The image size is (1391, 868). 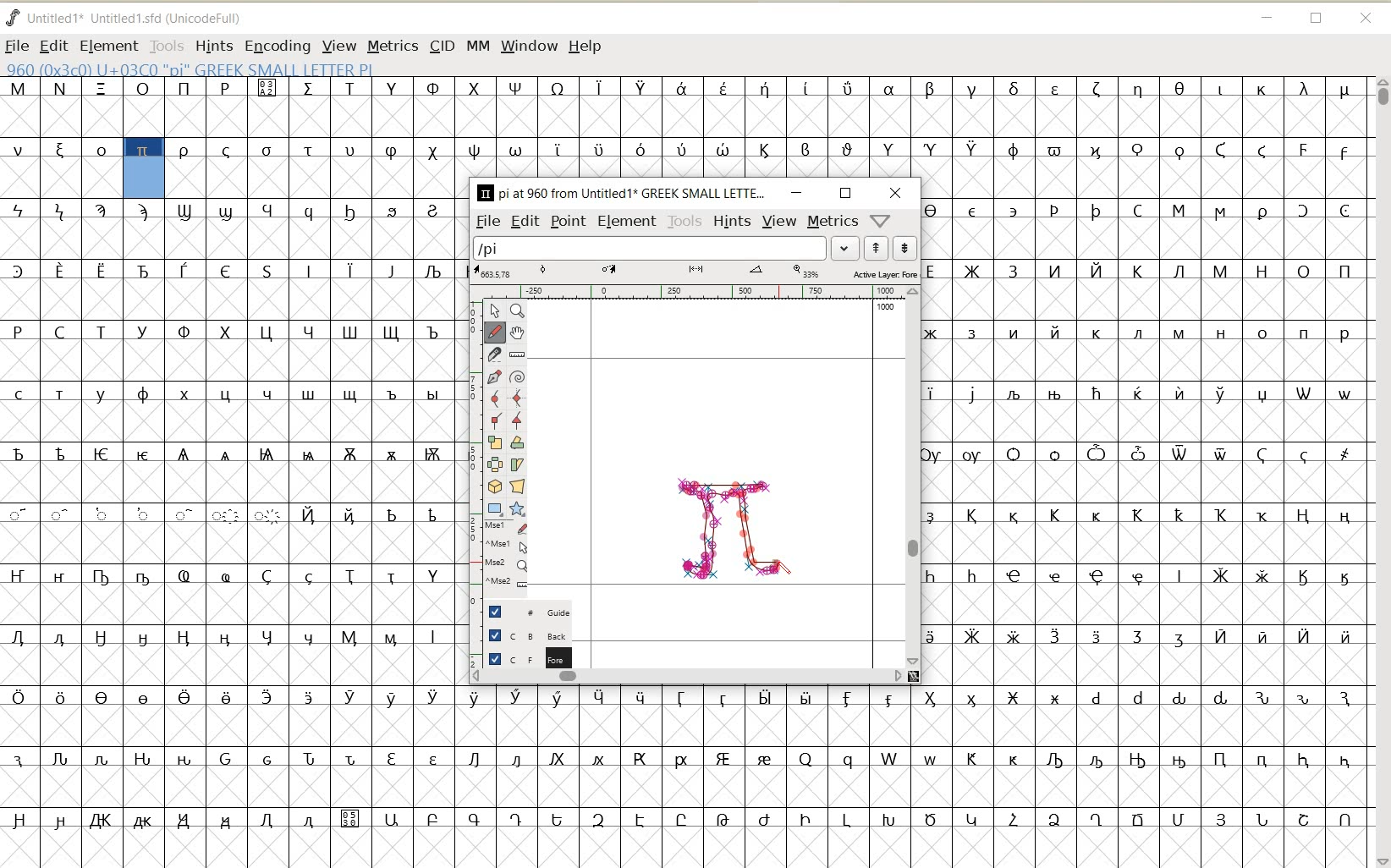 What do you see at coordinates (587, 45) in the screenshot?
I see `HELP` at bounding box center [587, 45].